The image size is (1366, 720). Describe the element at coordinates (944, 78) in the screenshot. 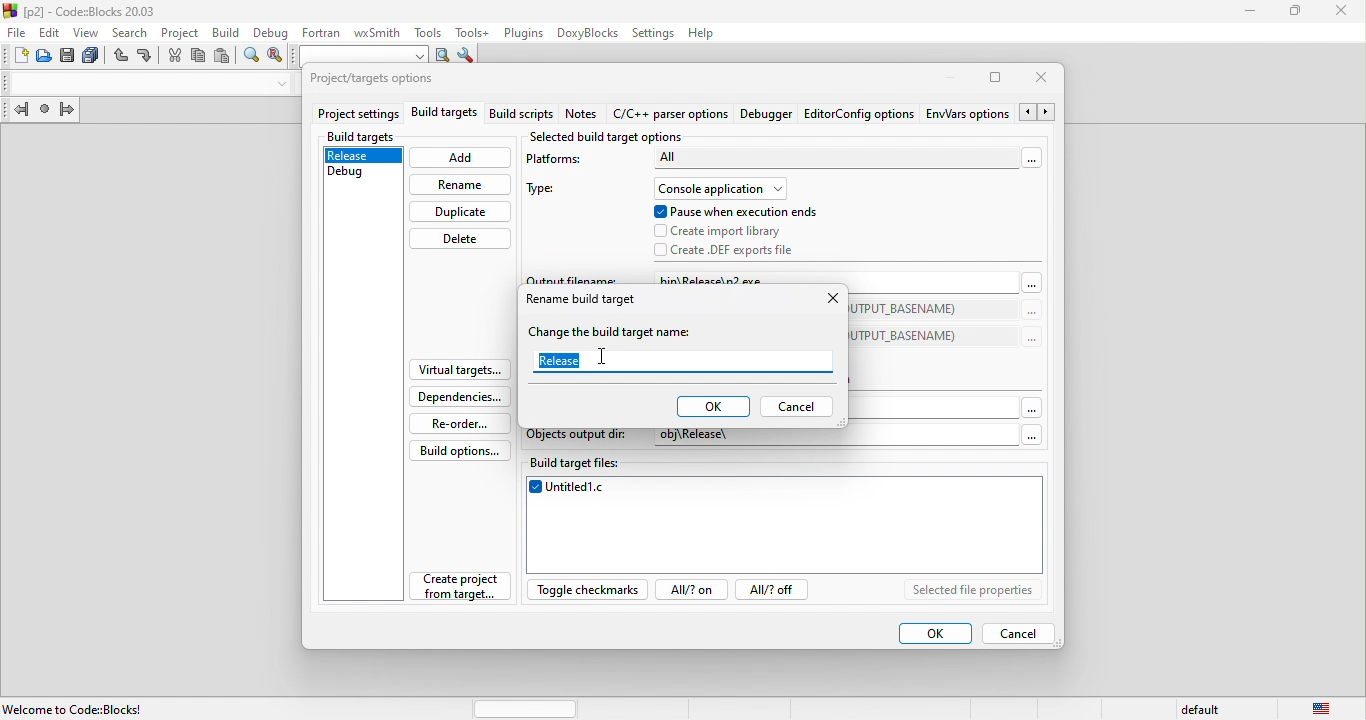

I see `minimize` at that location.